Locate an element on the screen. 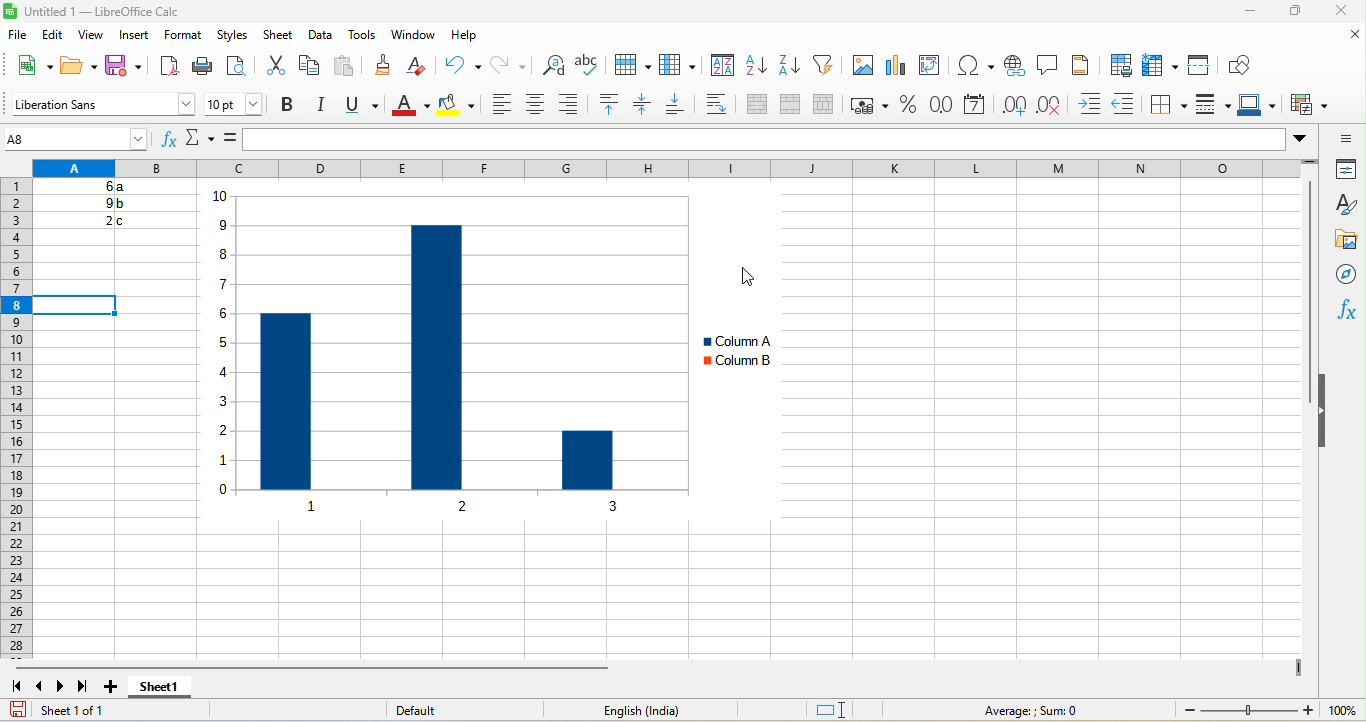  sheet 1 is located at coordinates (160, 685).